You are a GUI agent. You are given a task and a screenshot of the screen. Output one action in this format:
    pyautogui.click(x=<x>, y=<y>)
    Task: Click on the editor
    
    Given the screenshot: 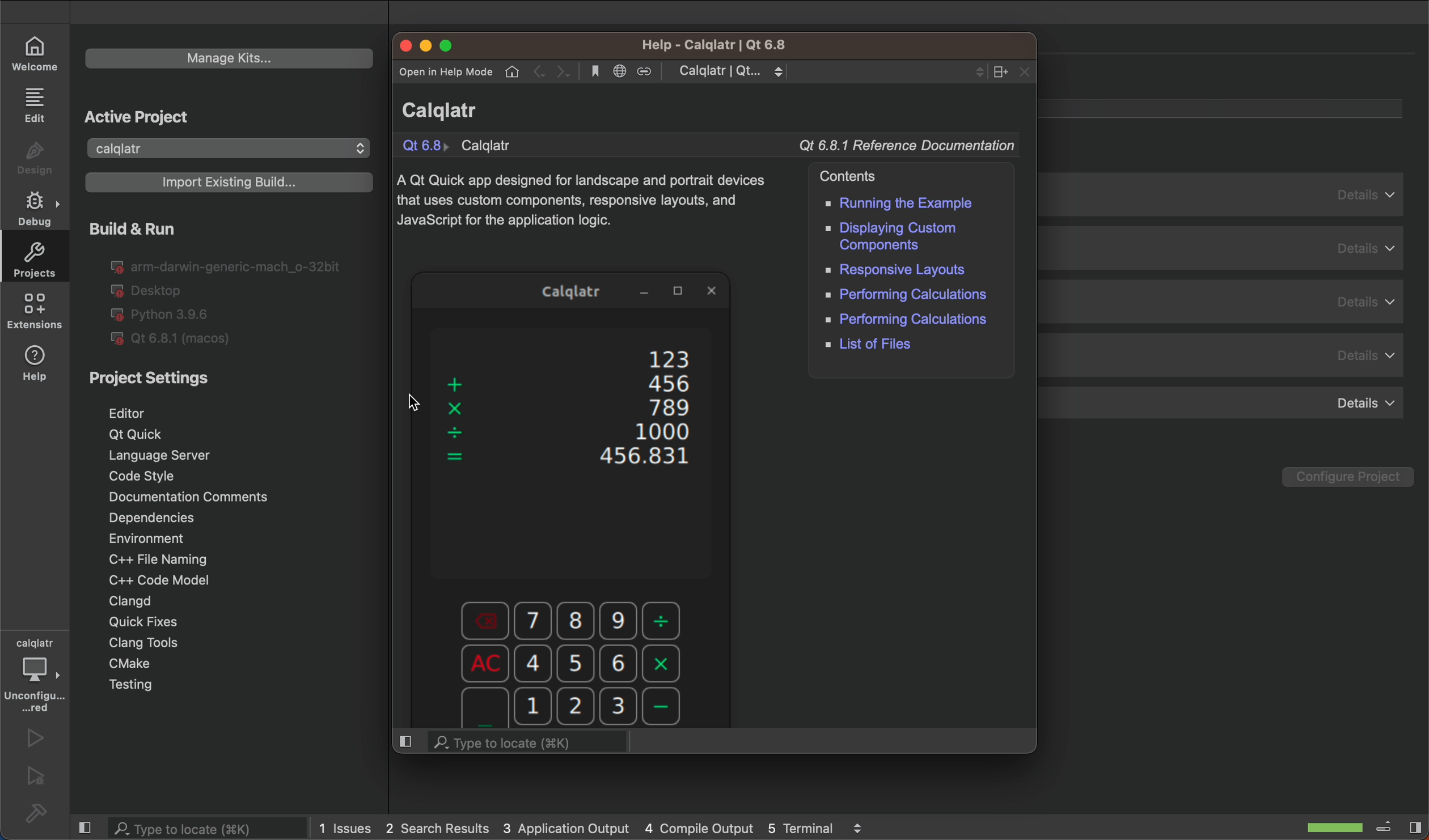 What is the action you would take?
    pyautogui.click(x=139, y=413)
    